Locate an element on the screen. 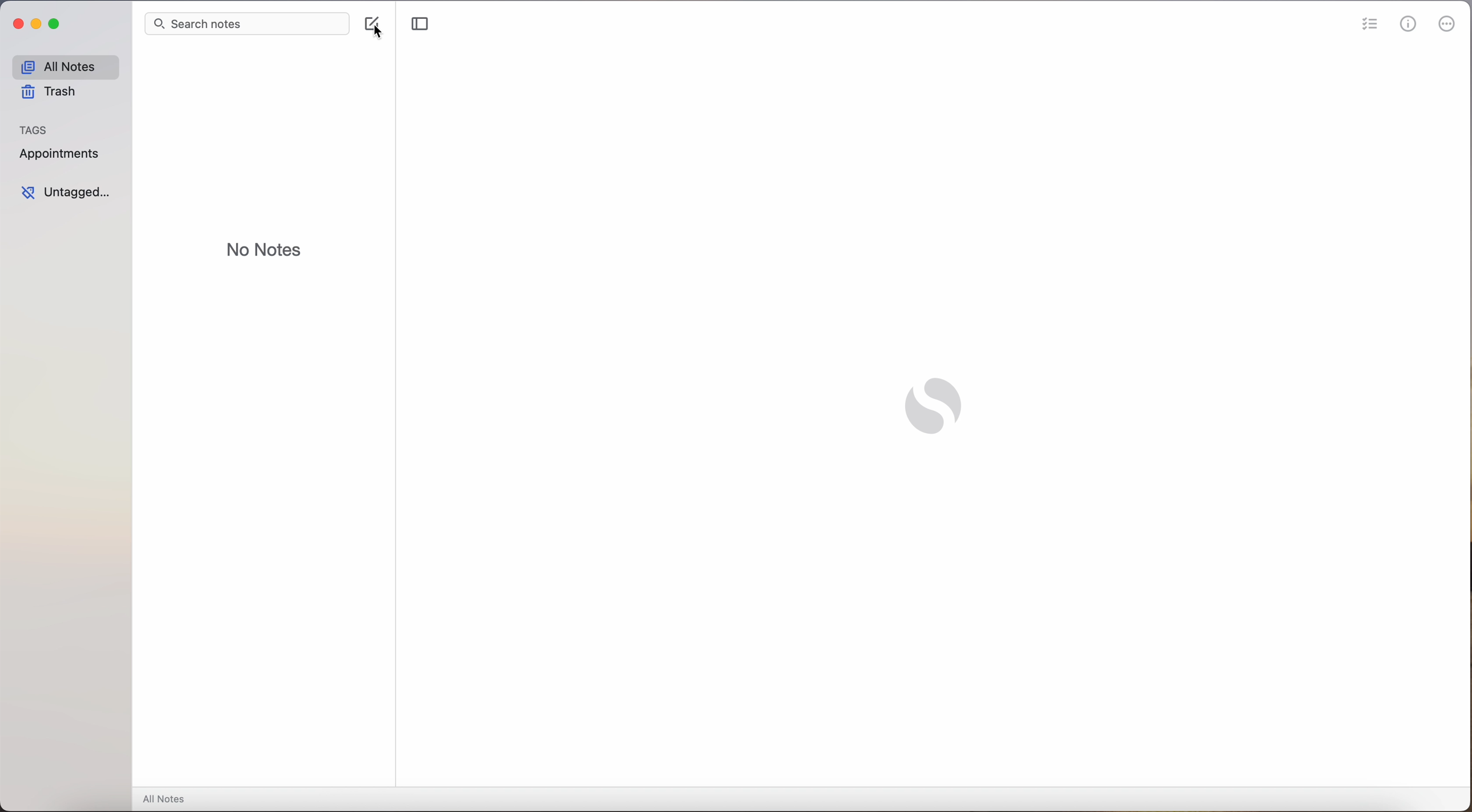 The width and height of the screenshot is (1472, 812). search bar is located at coordinates (247, 23).